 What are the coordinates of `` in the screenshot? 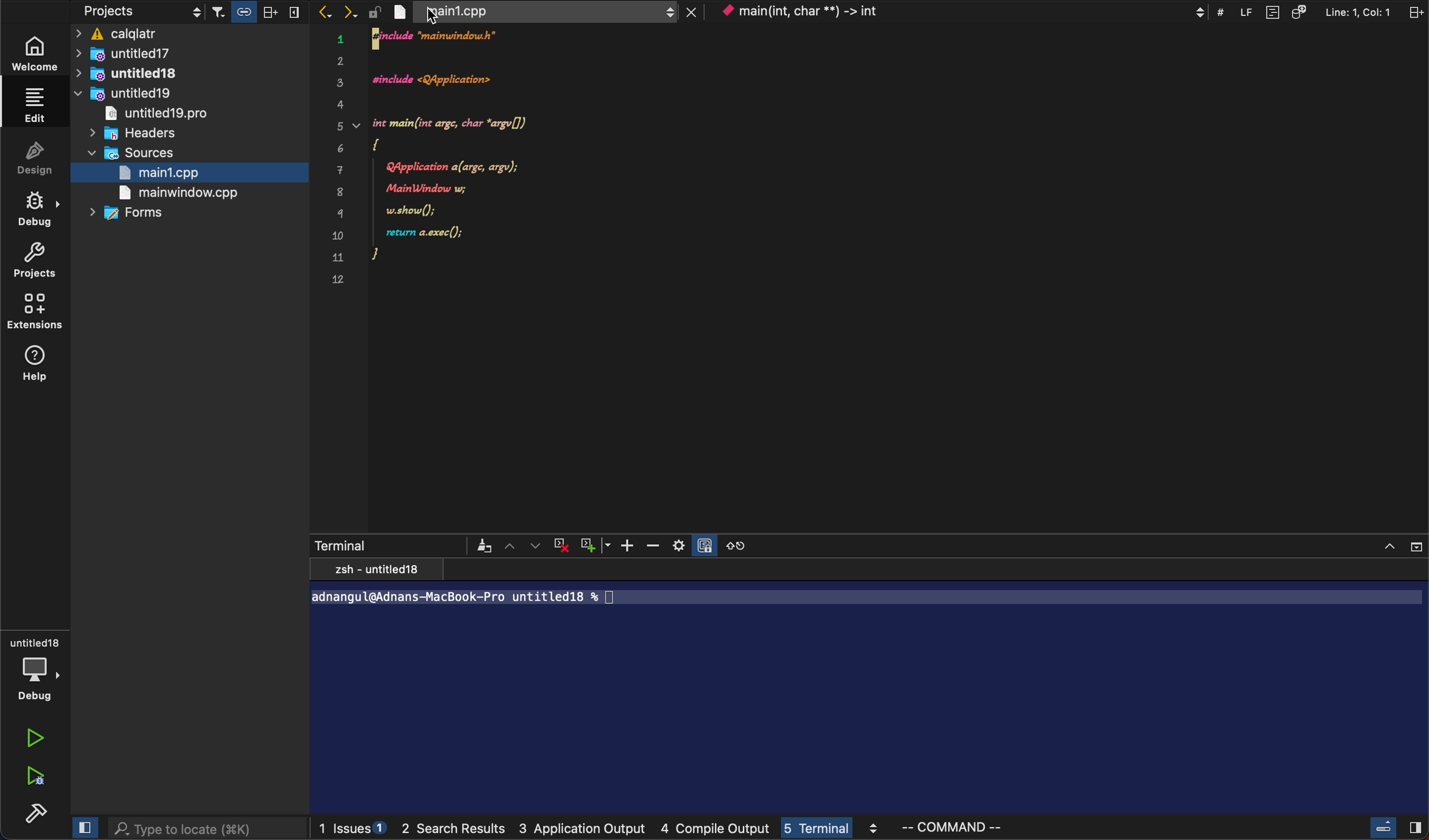 It's located at (1314, 11).